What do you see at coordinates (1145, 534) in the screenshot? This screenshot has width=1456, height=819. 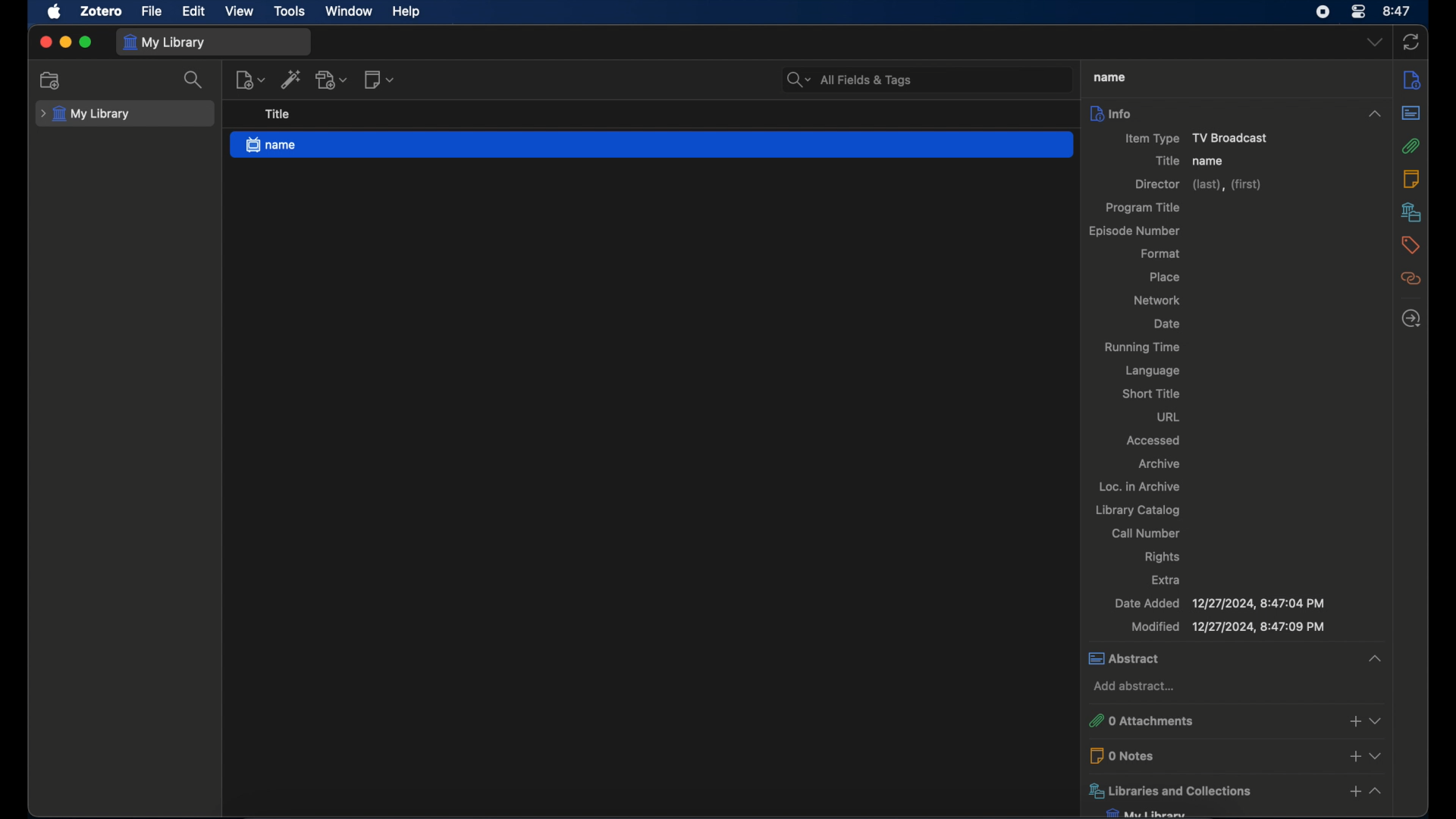 I see `call number` at bounding box center [1145, 534].